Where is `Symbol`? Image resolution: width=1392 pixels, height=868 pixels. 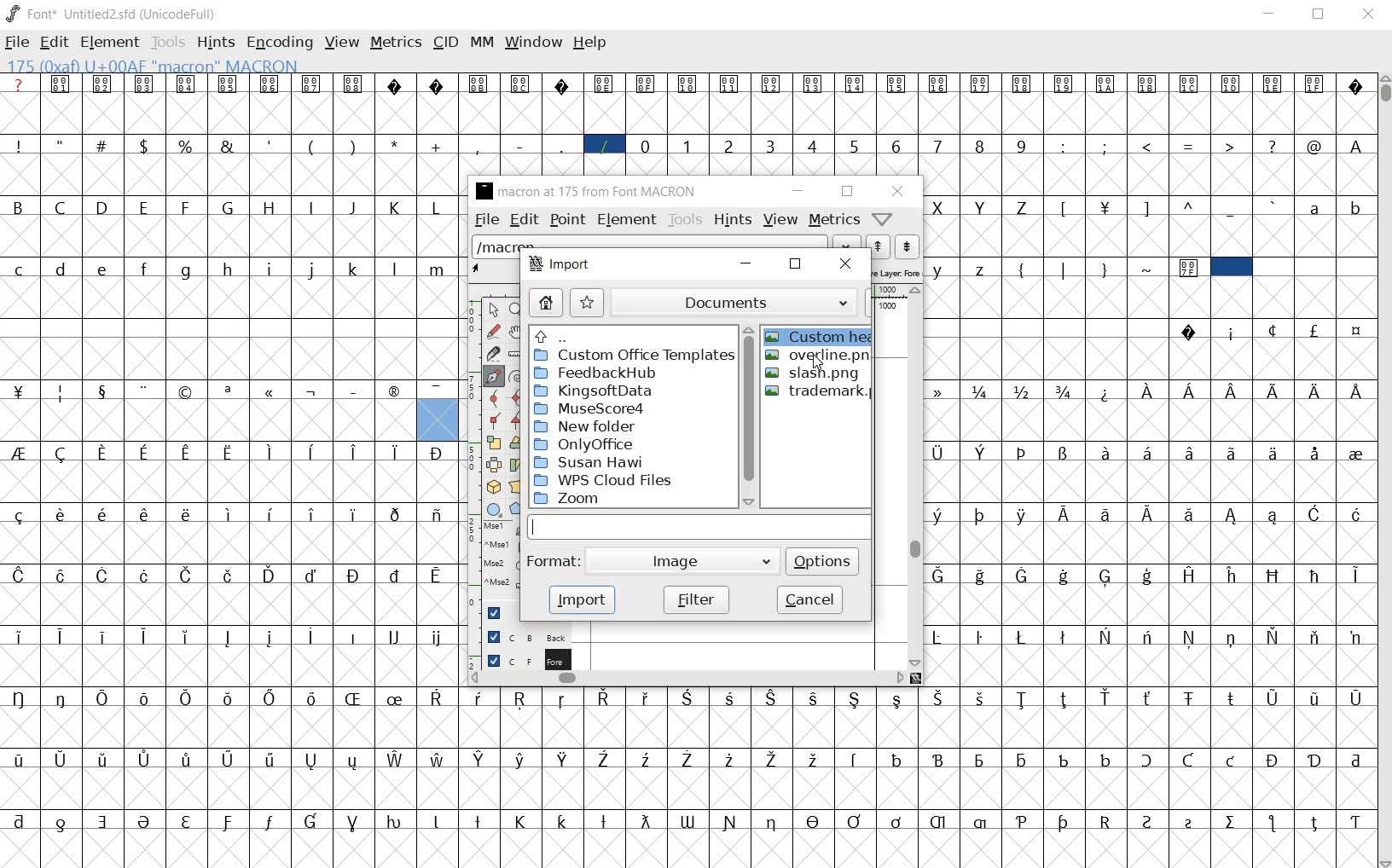
Symbol is located at coordinates (856, 757).